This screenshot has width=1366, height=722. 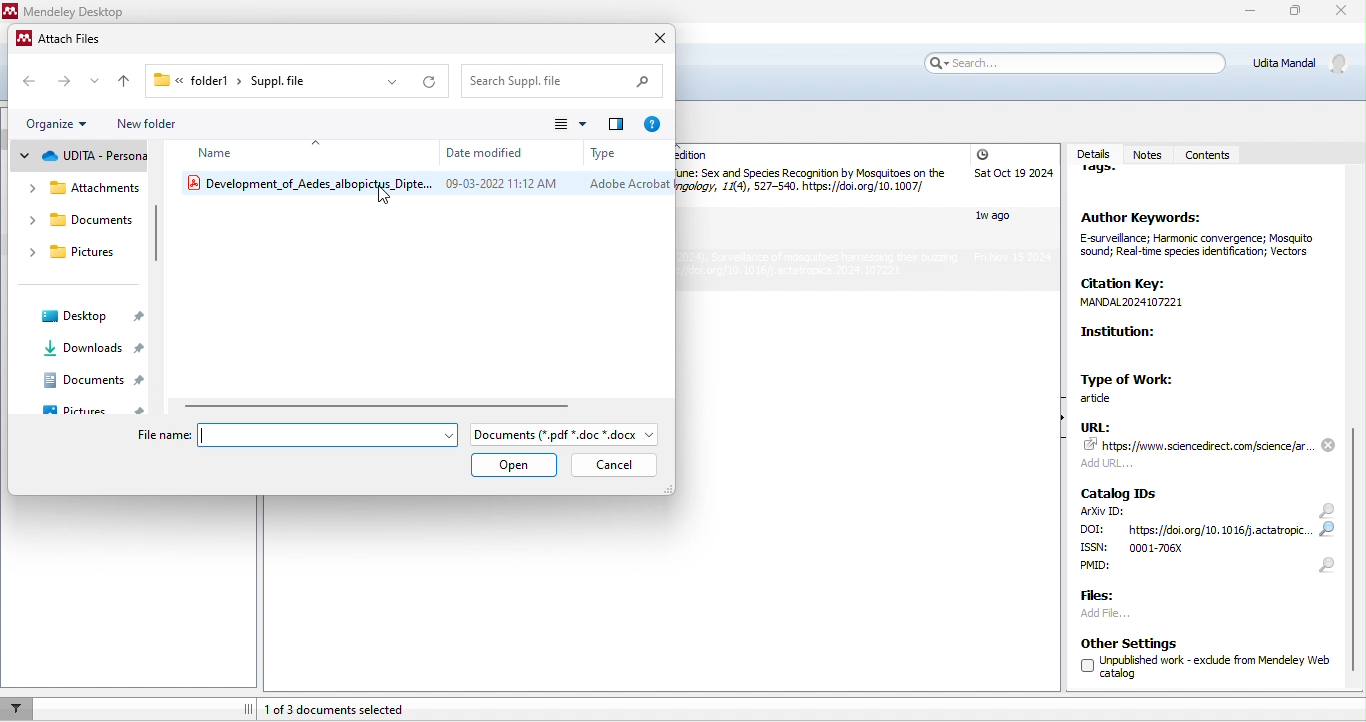 I want to click on upto previous, so click(x=129, y=83).